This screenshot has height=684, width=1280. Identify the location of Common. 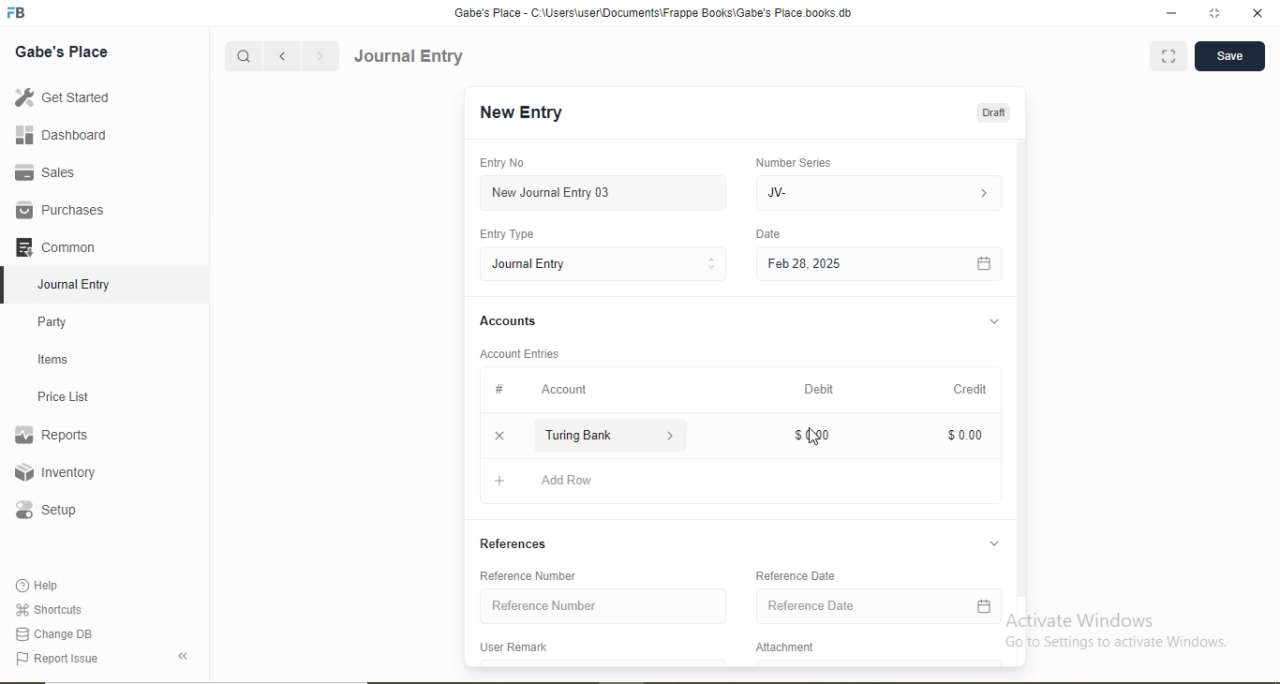
(54, 246).